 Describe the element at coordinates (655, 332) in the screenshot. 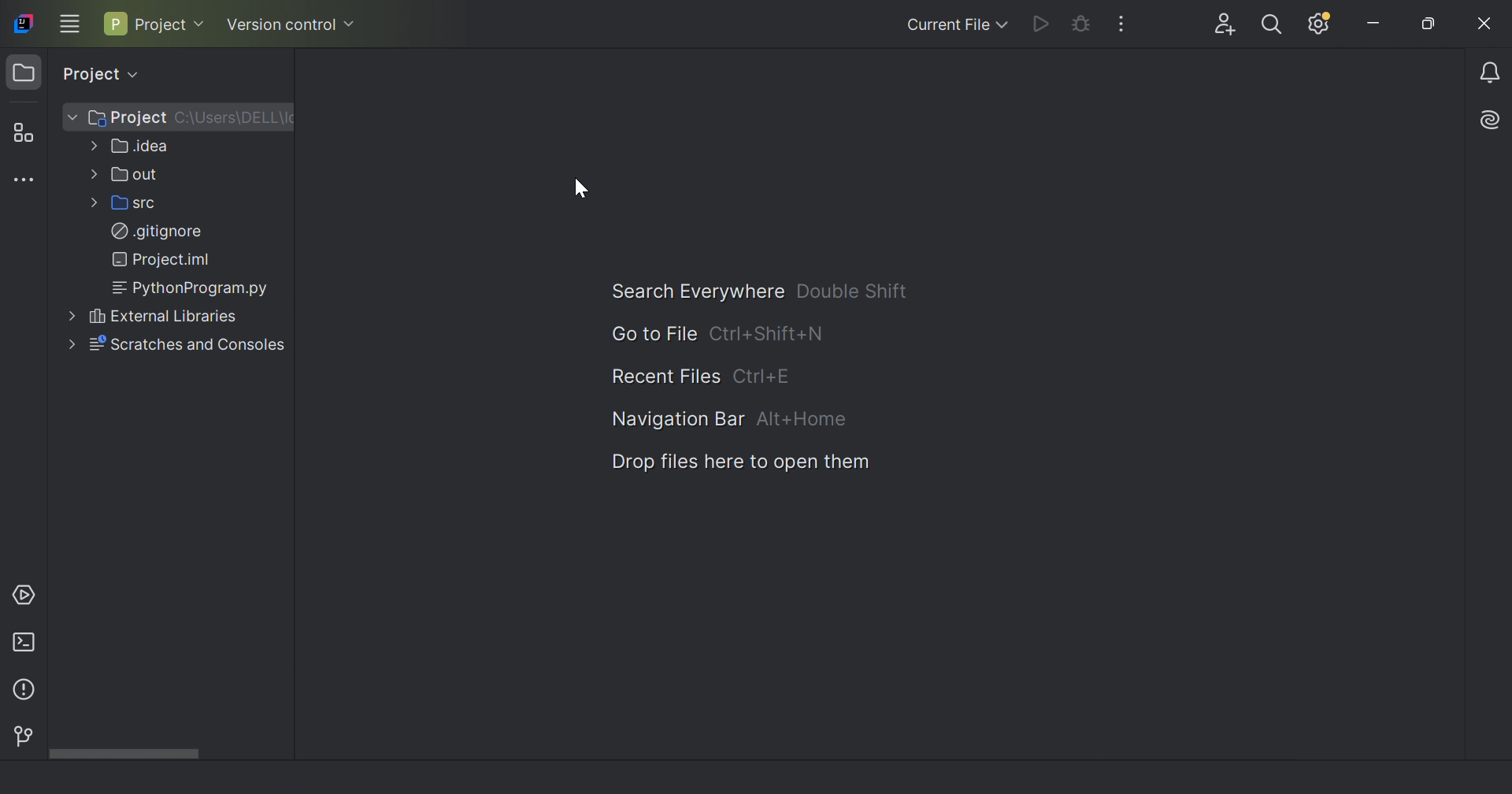

I see `Go to file` at that location.